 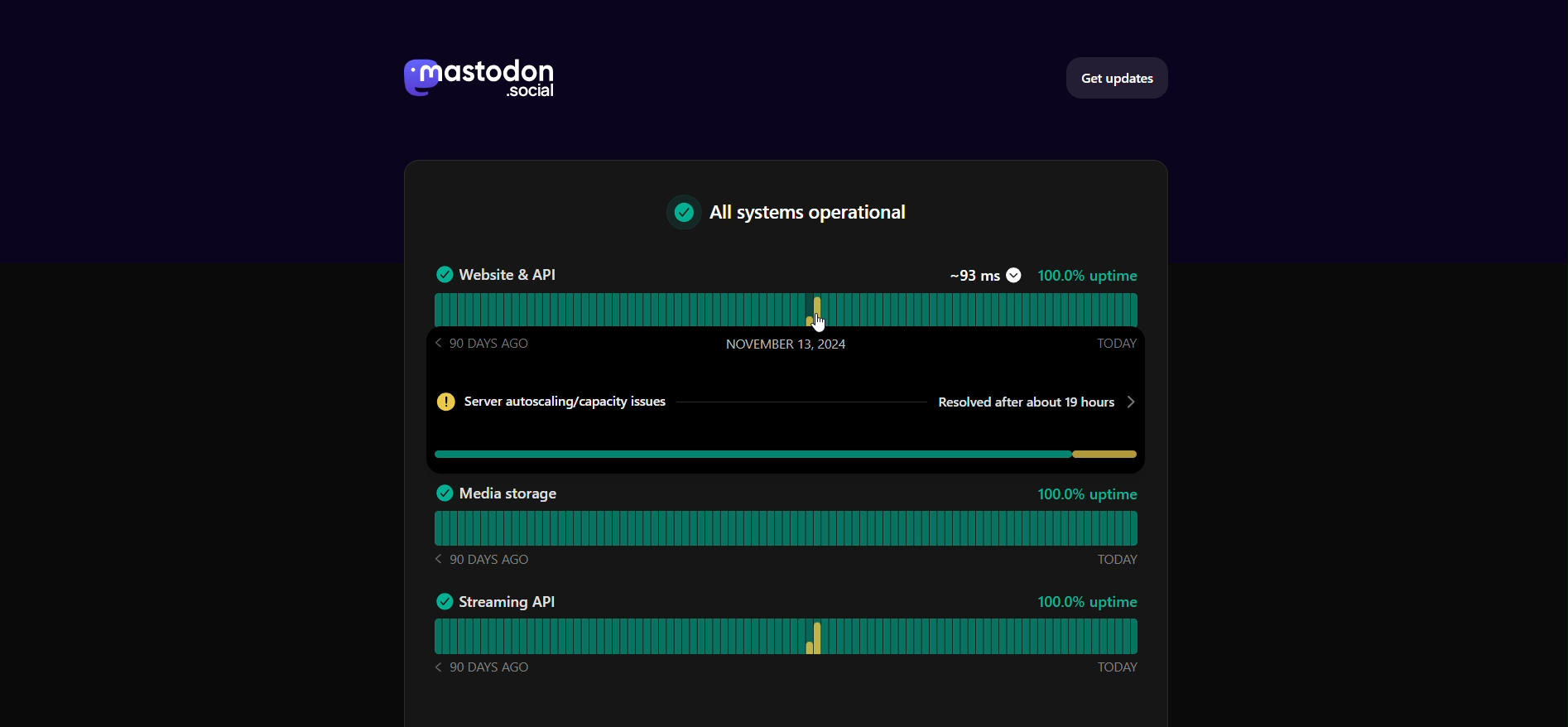 What do you see at coordinates (793, 527) in the screenshot?
I see `media storage status` at bounding box center [793, 527].